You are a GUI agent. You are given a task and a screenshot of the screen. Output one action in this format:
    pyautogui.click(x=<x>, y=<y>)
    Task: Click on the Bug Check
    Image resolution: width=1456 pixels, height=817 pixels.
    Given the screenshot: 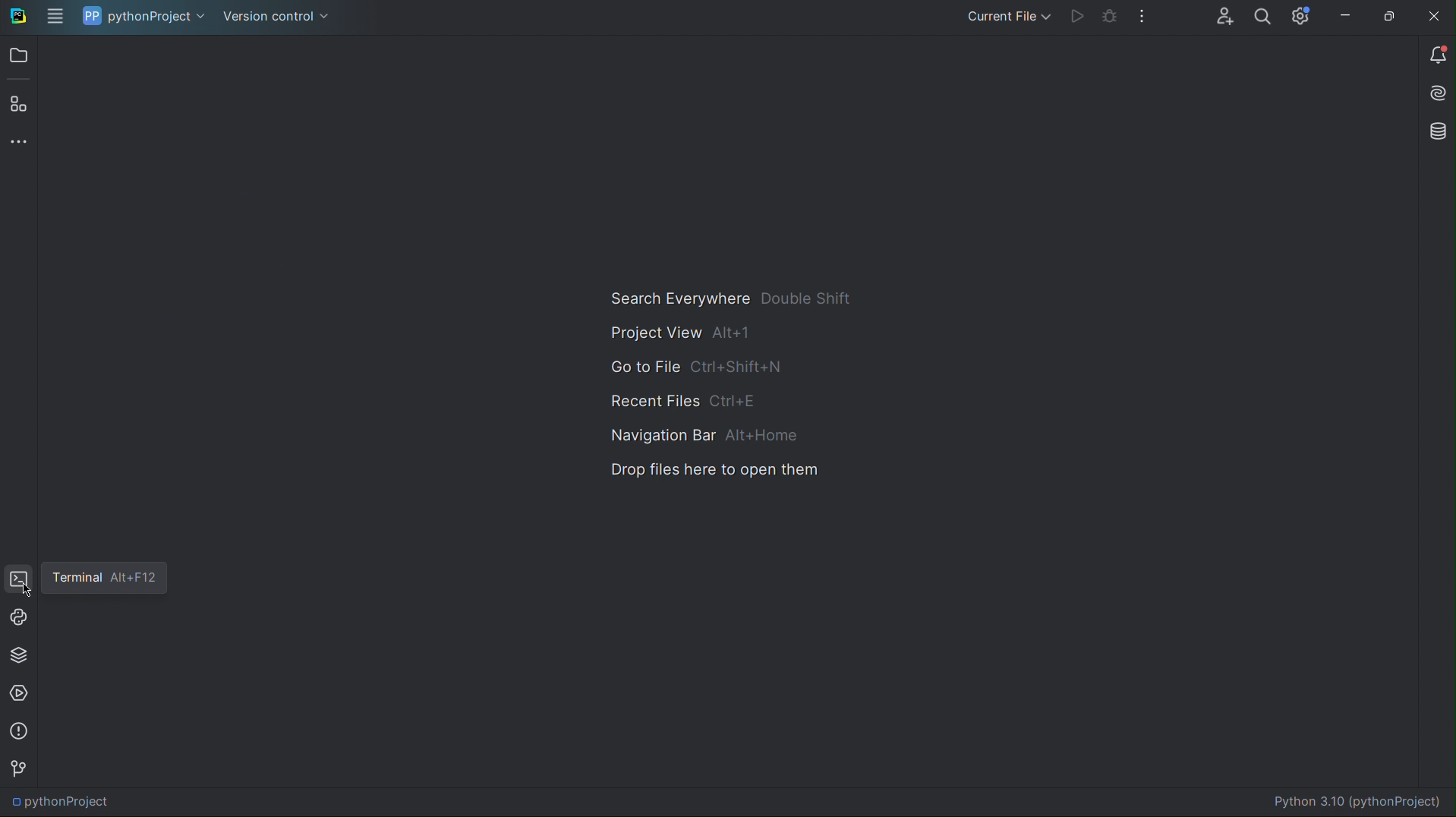 What is the action you would take?
    pyautogui.click(x=1111, y=21)
    